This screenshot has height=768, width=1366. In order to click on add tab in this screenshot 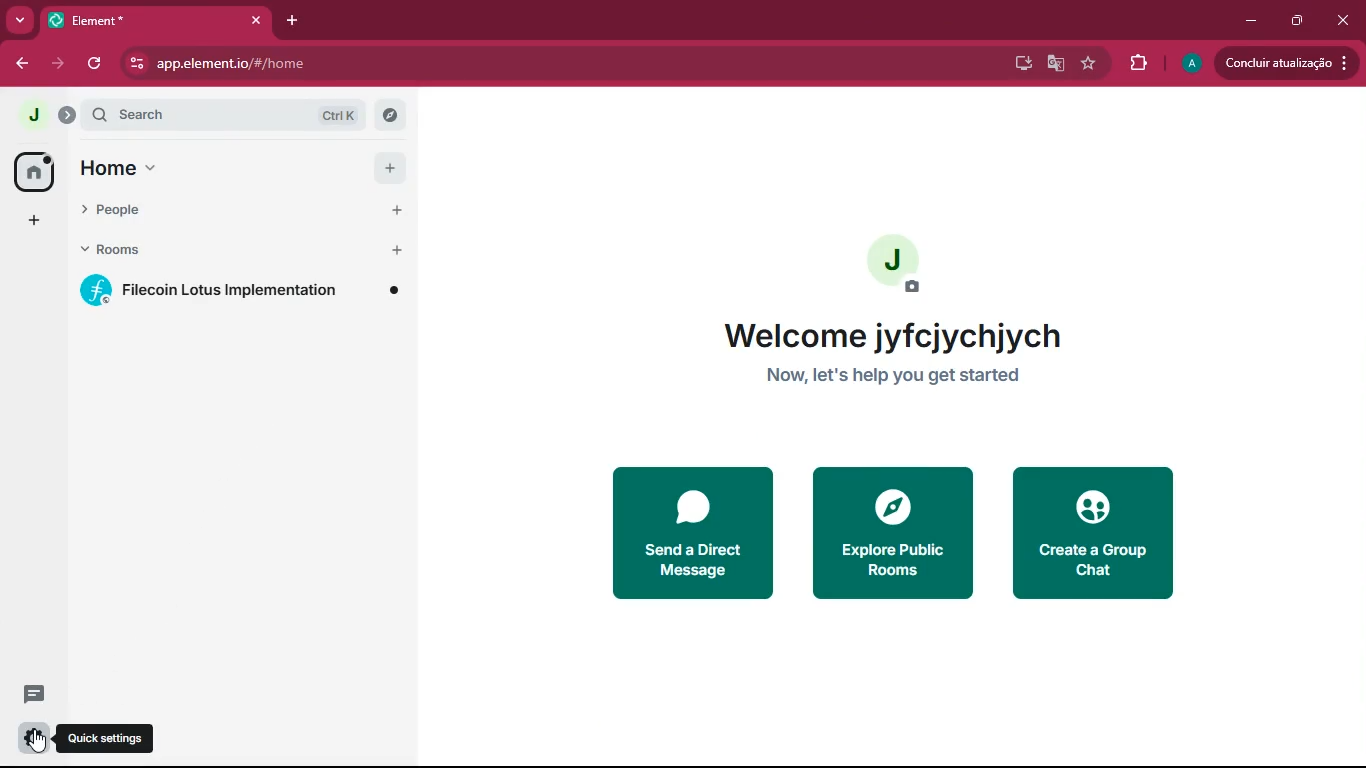, I will do `click(294, 20)`.